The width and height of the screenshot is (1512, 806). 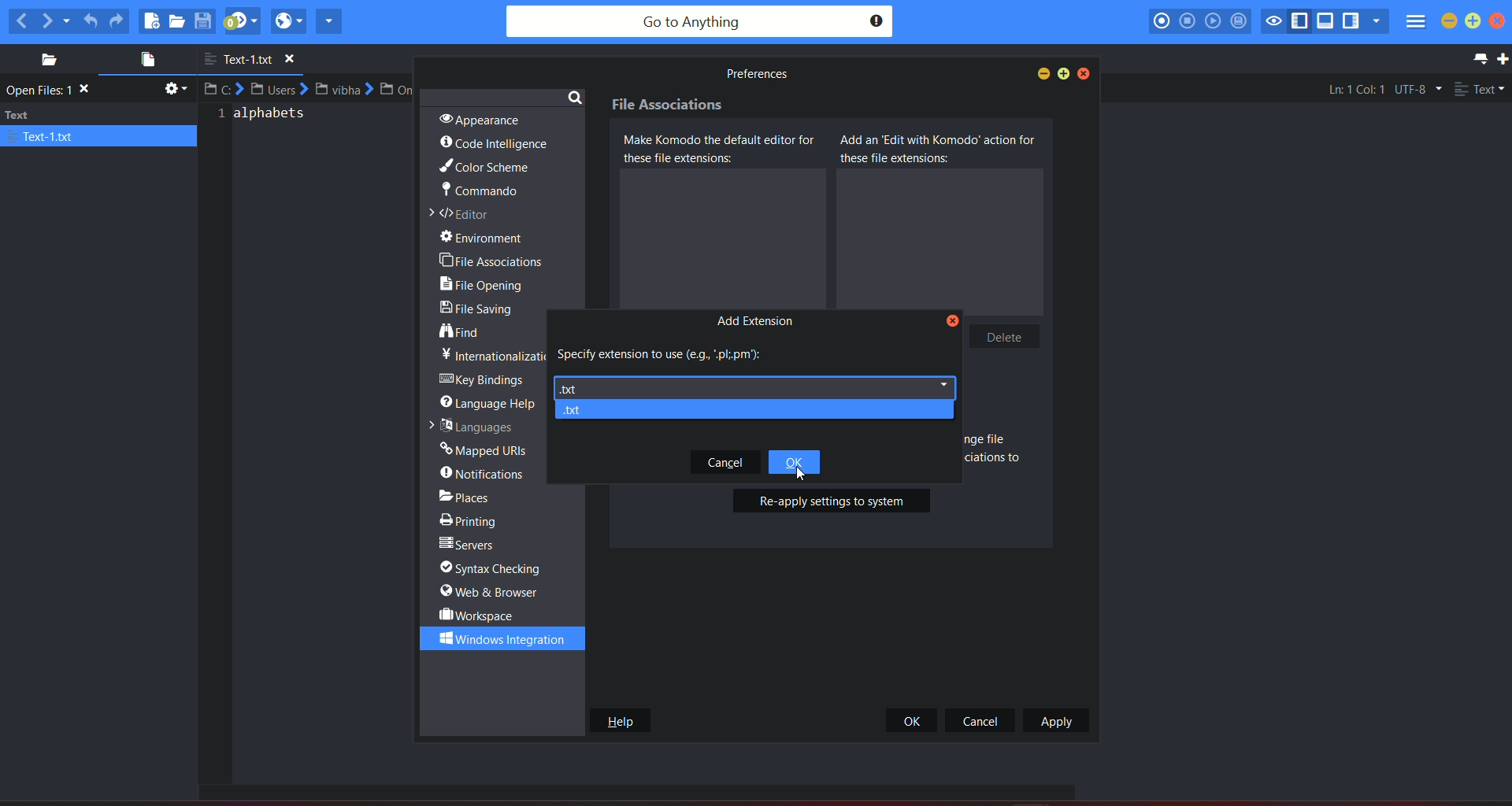 I want to click on Close, so click(x=947, y=321).